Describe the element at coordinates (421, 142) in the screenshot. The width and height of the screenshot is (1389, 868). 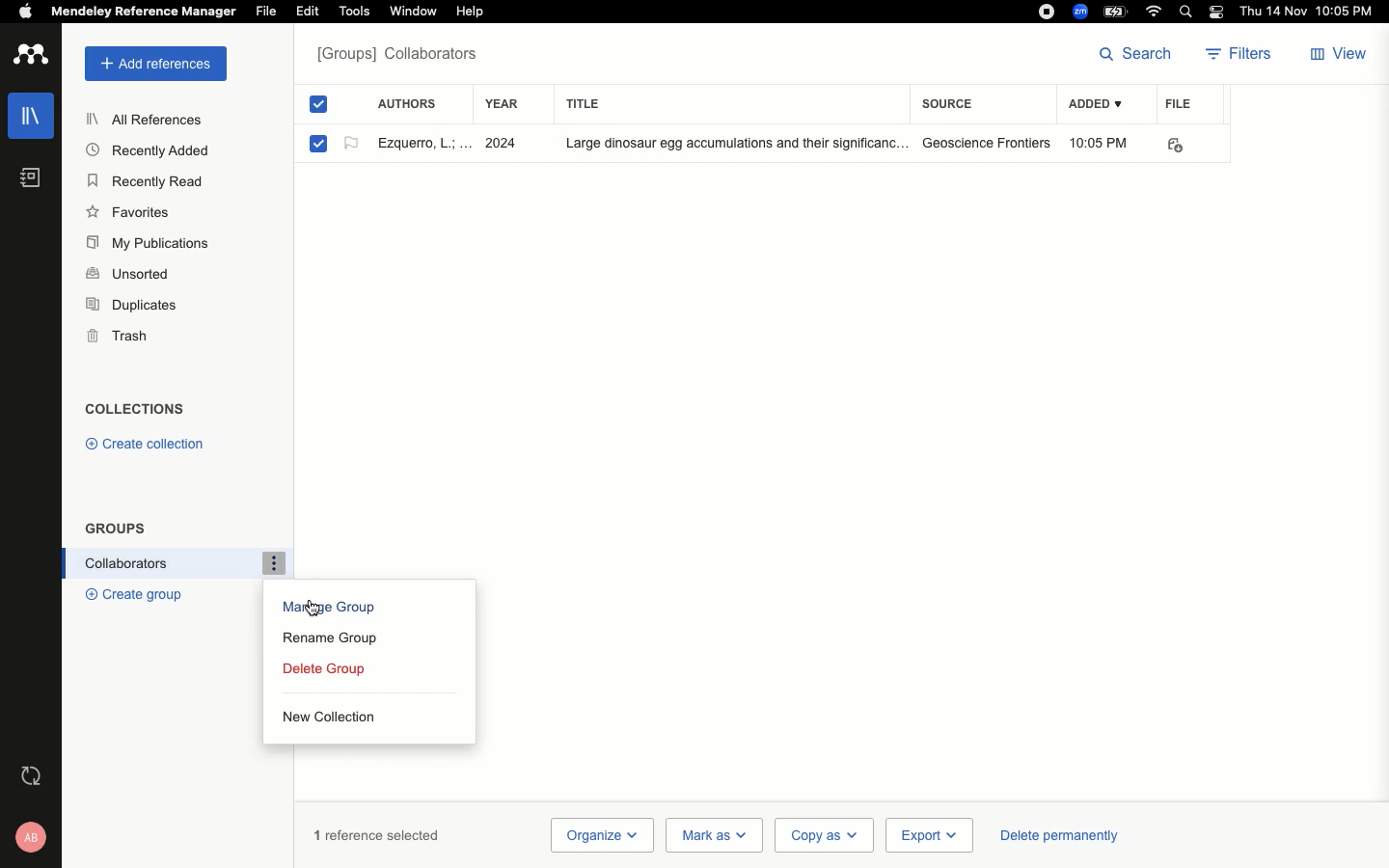
I see `Favorite` at that location.